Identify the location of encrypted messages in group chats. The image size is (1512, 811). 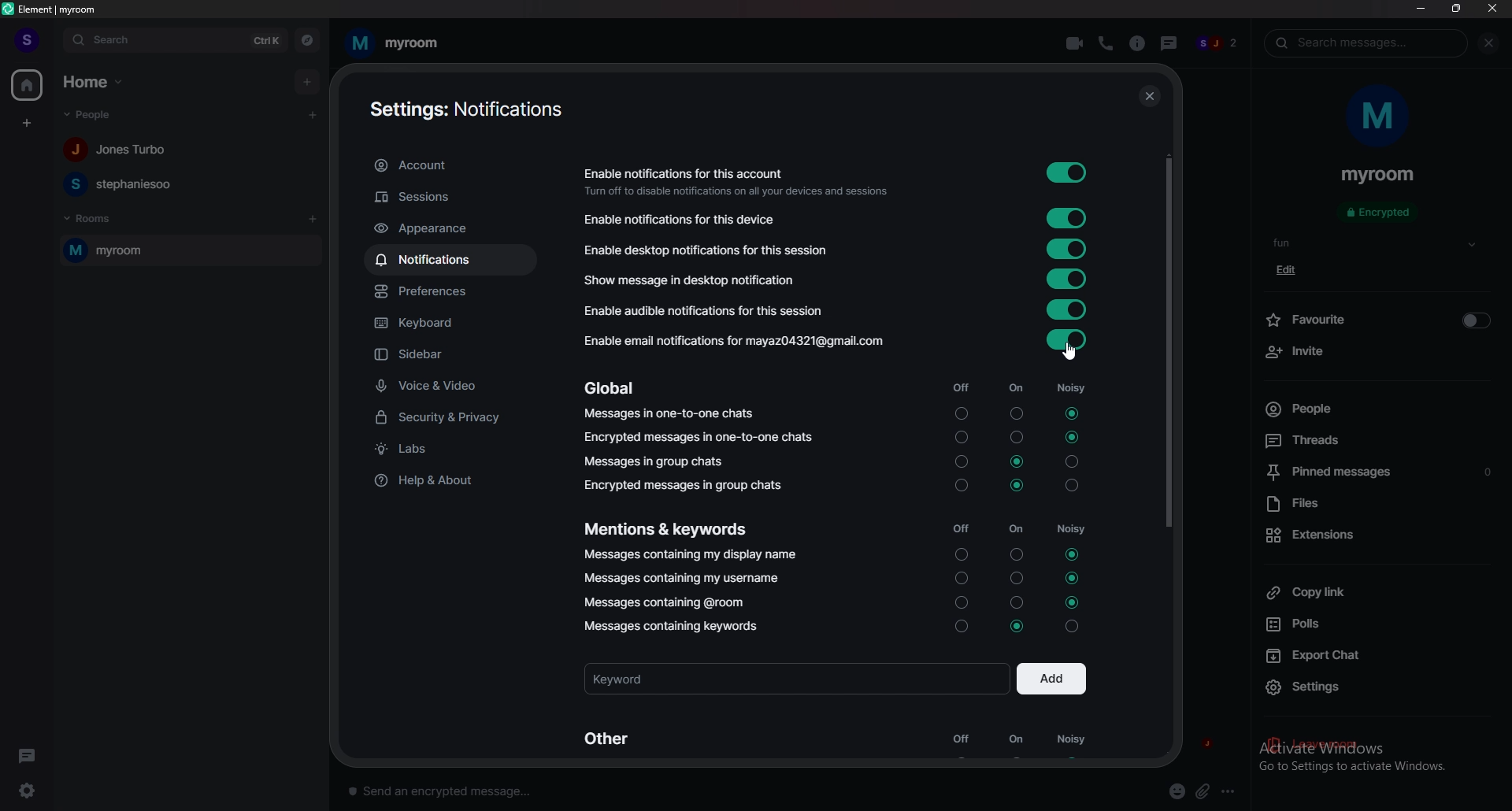
(684, 485).